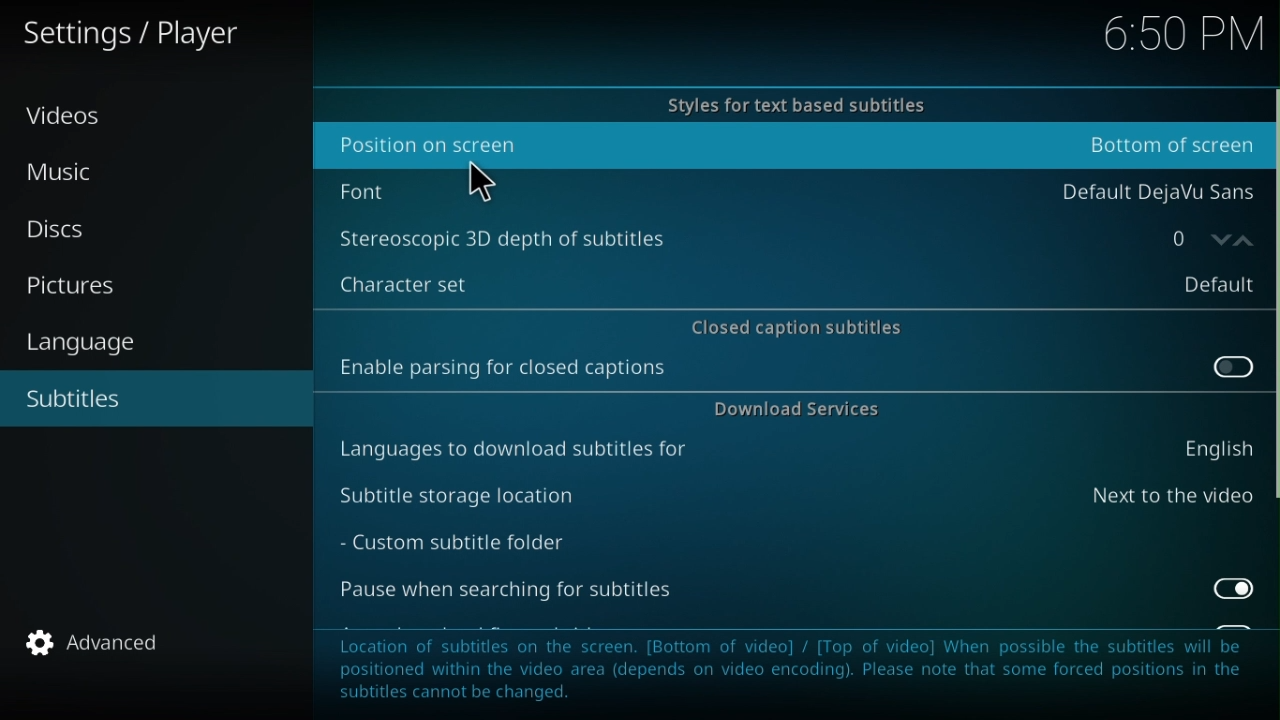 This screenshot has height=720, width=1280. What do you see at coordinates (479, 545) in the screenshot?
I see `Custom subtitle folder` at bounding box center [479, 545].